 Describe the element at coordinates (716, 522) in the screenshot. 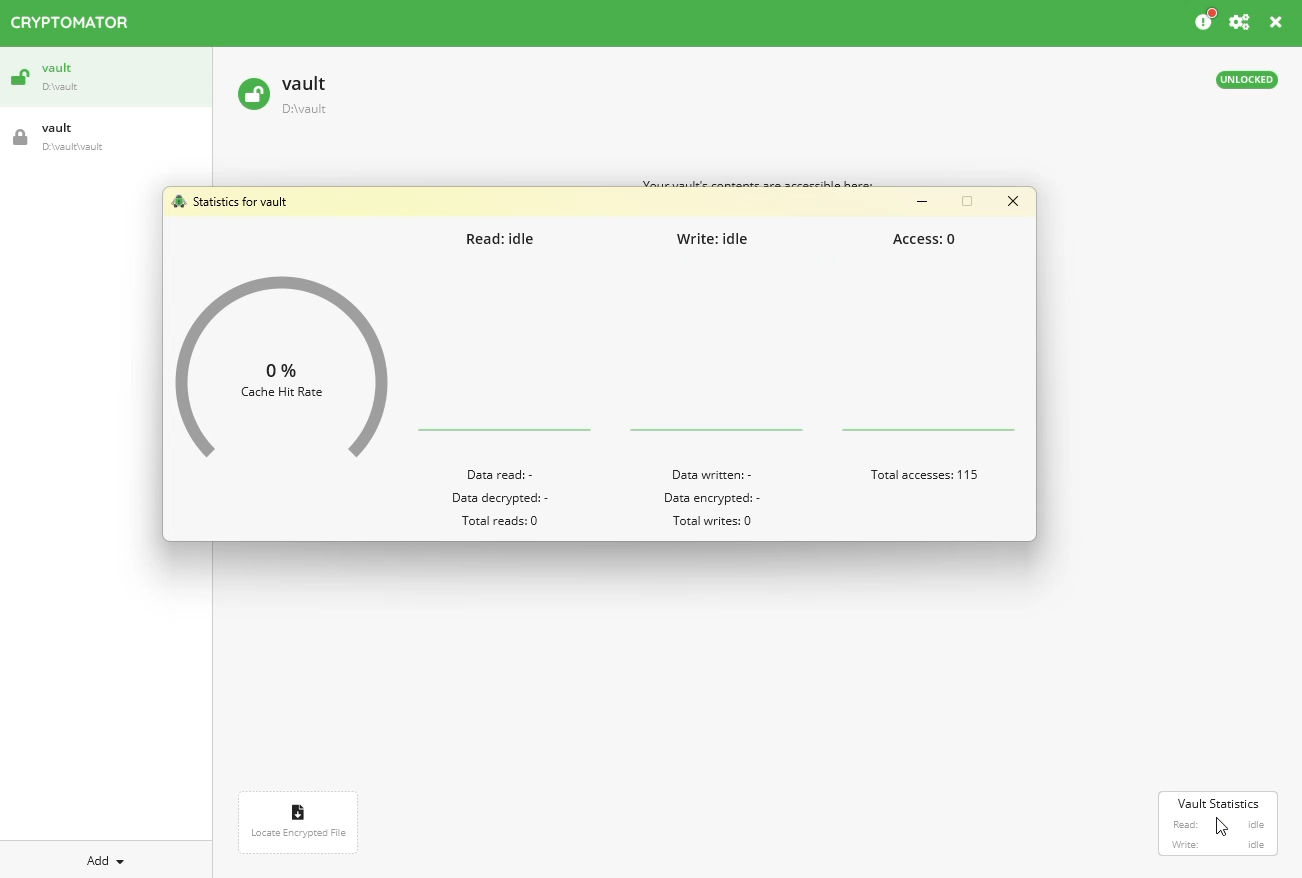

I see `total writes` at that location.